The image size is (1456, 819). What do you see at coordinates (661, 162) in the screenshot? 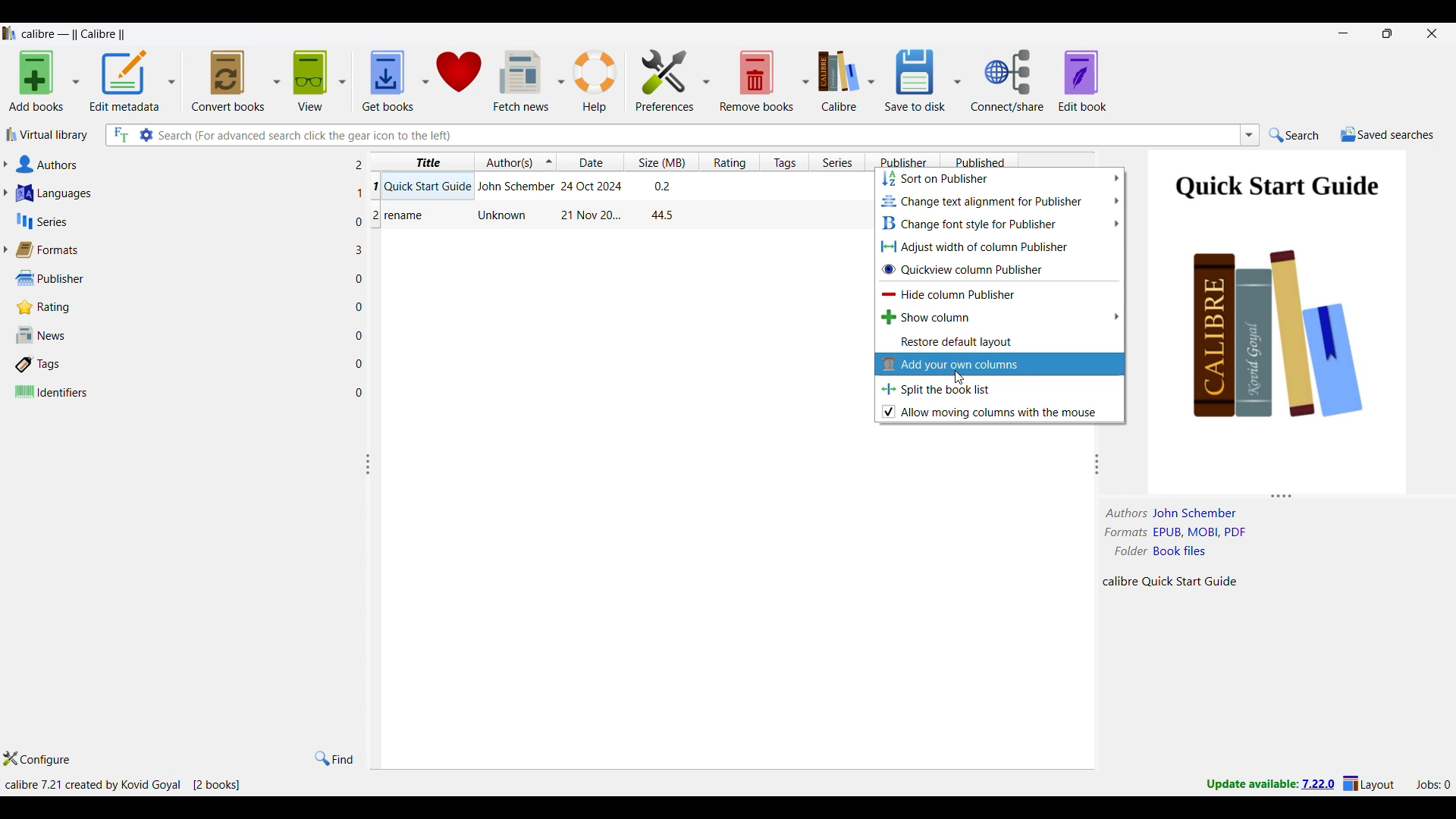
I see `Size column` at bounding box center [661, 162].